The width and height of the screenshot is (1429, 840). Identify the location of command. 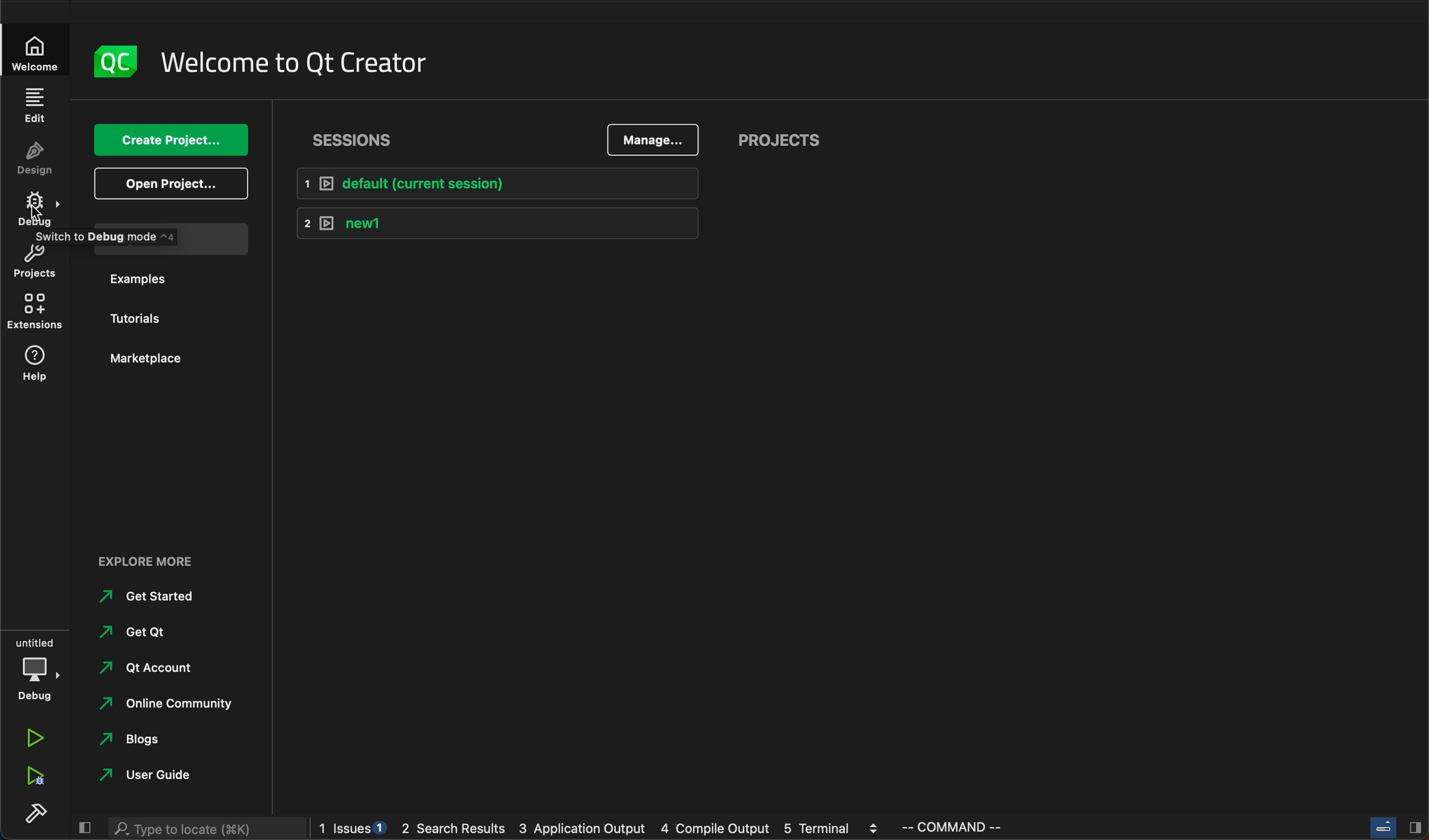
(993, 828).